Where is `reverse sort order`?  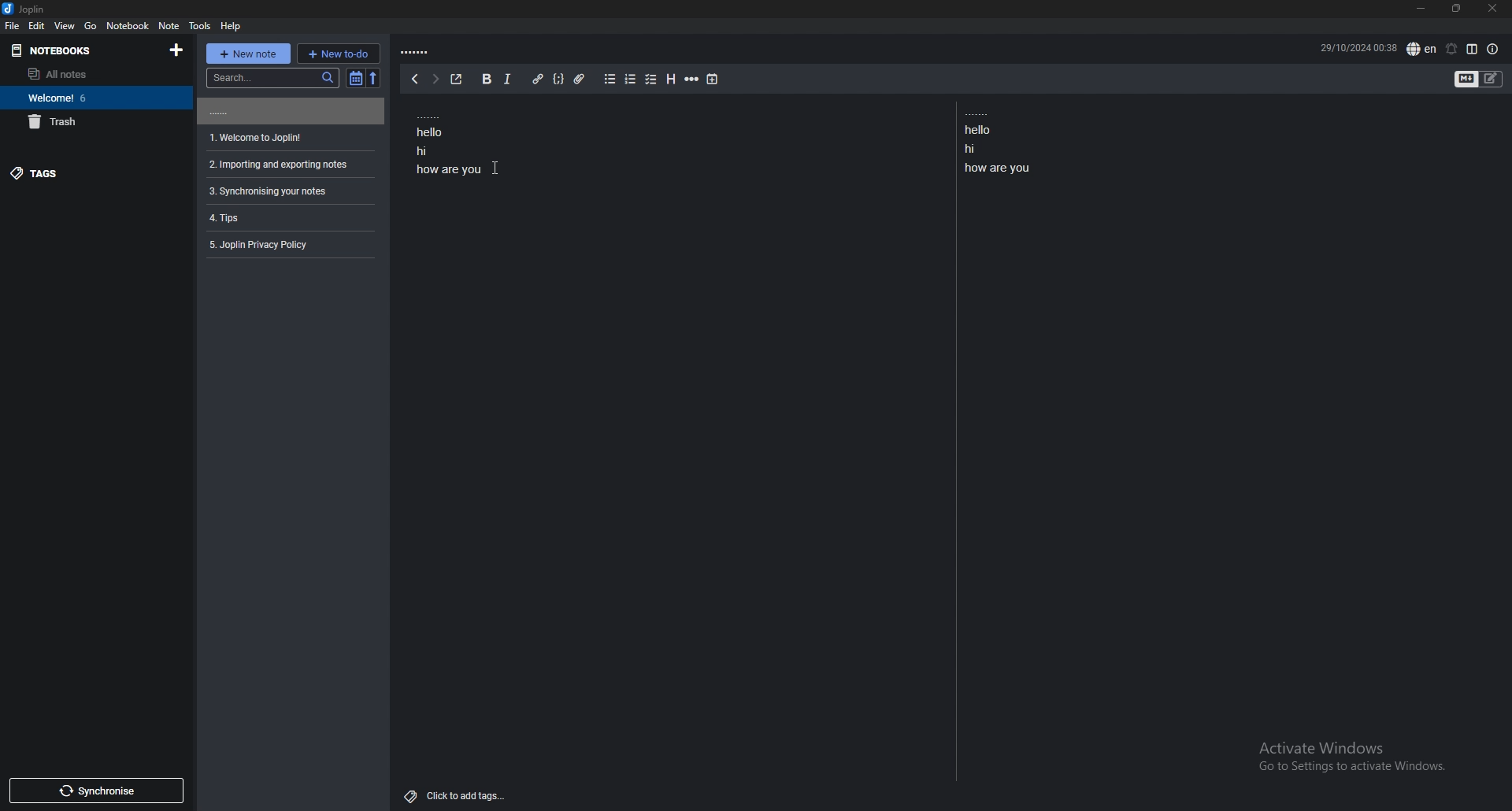 reverse sort order is located at coordinates (375, 78).